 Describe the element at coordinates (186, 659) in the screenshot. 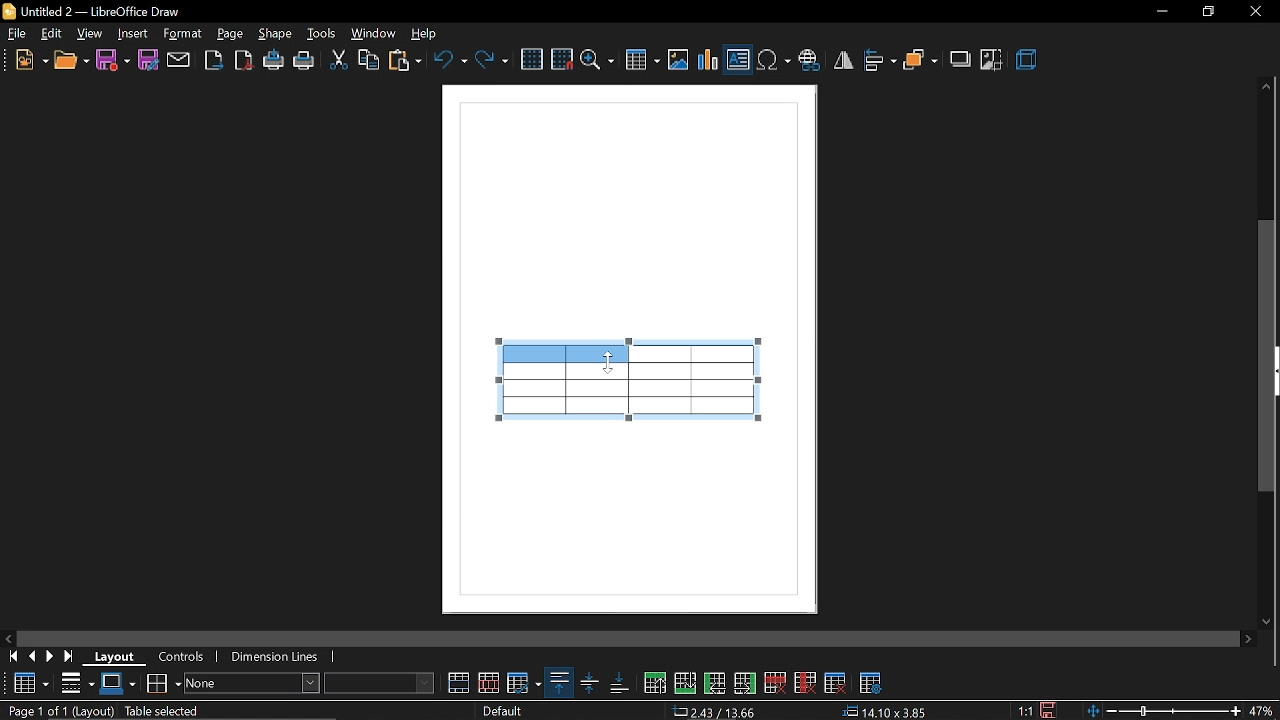

I see `controls` at that location.